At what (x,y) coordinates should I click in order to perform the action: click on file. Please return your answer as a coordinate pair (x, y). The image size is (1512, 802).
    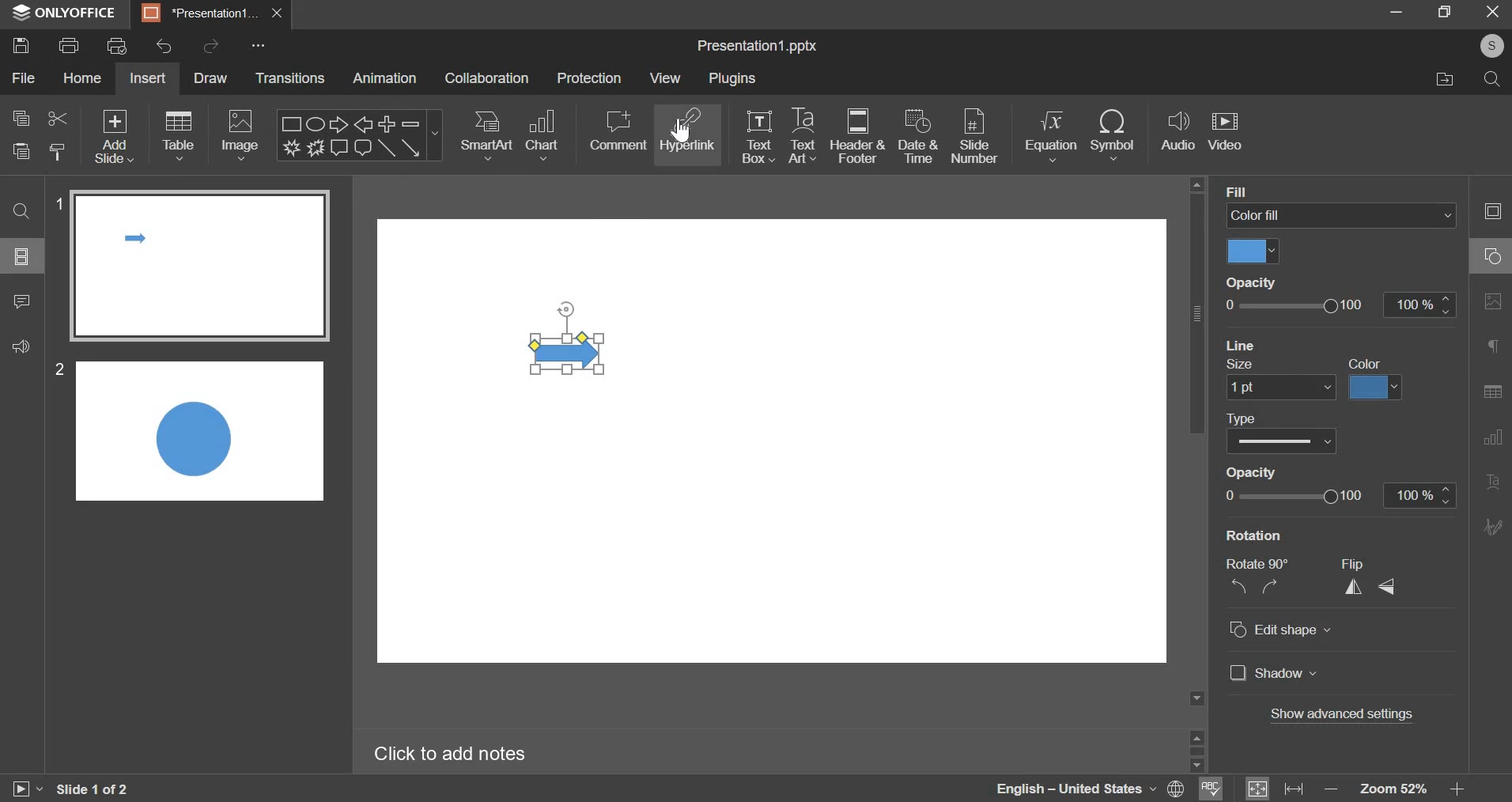
    Looking at the image, I should click on (23, 78).